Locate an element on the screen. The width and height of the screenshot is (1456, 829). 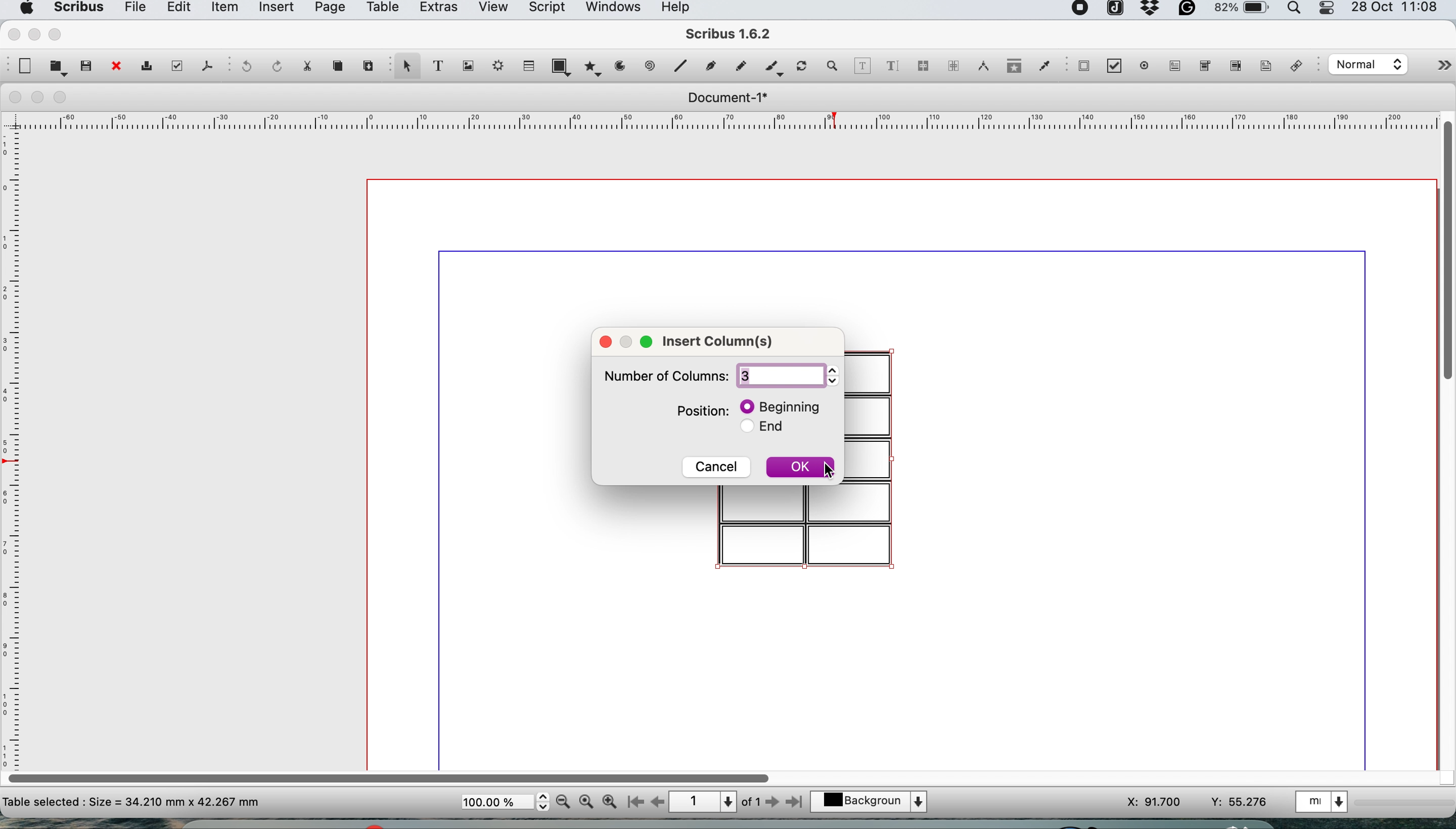
preflight verifier is located at coordinates (174, 65).